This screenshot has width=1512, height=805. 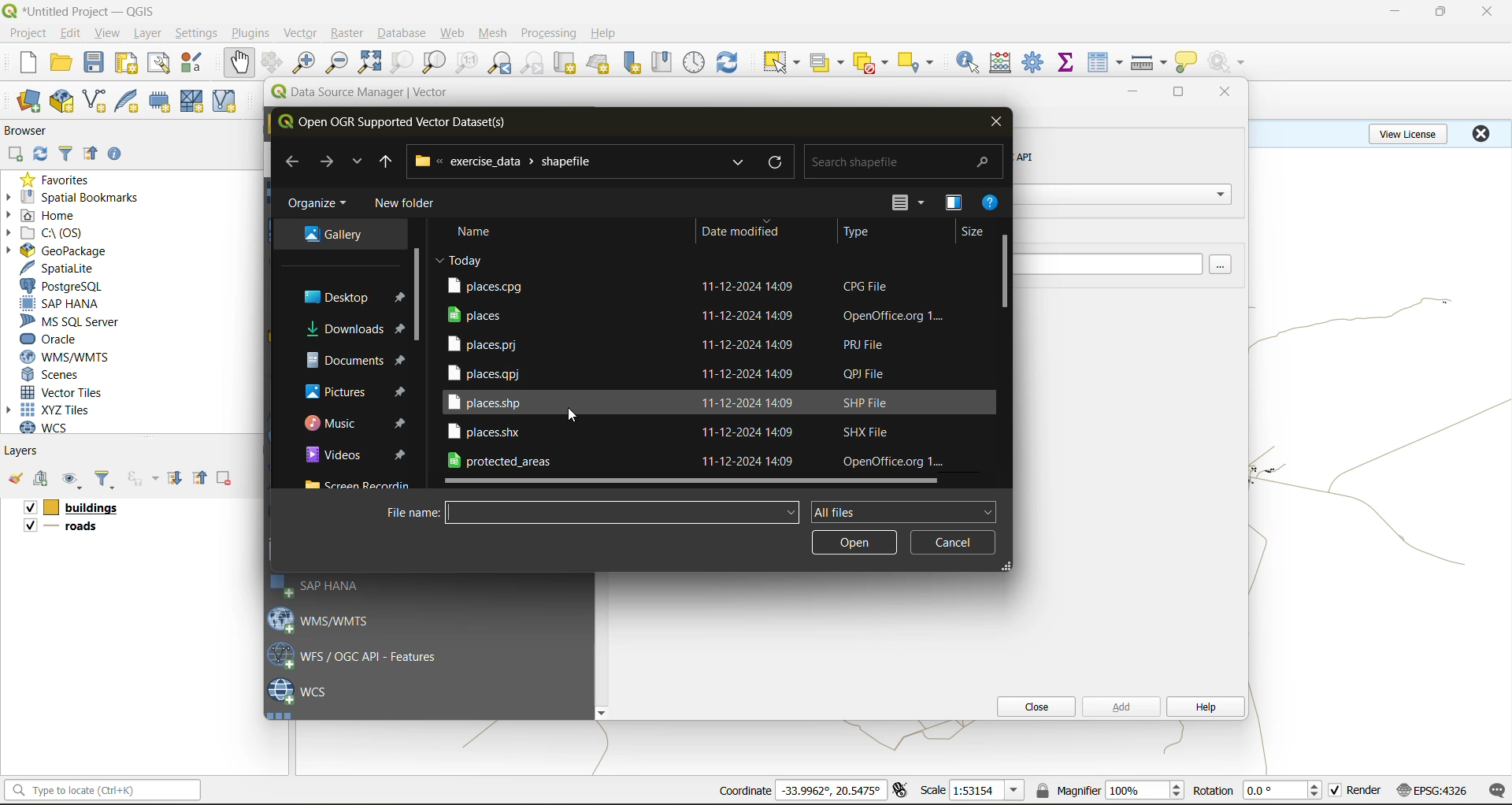 I want to click on close, so click(x=1480, y=133).